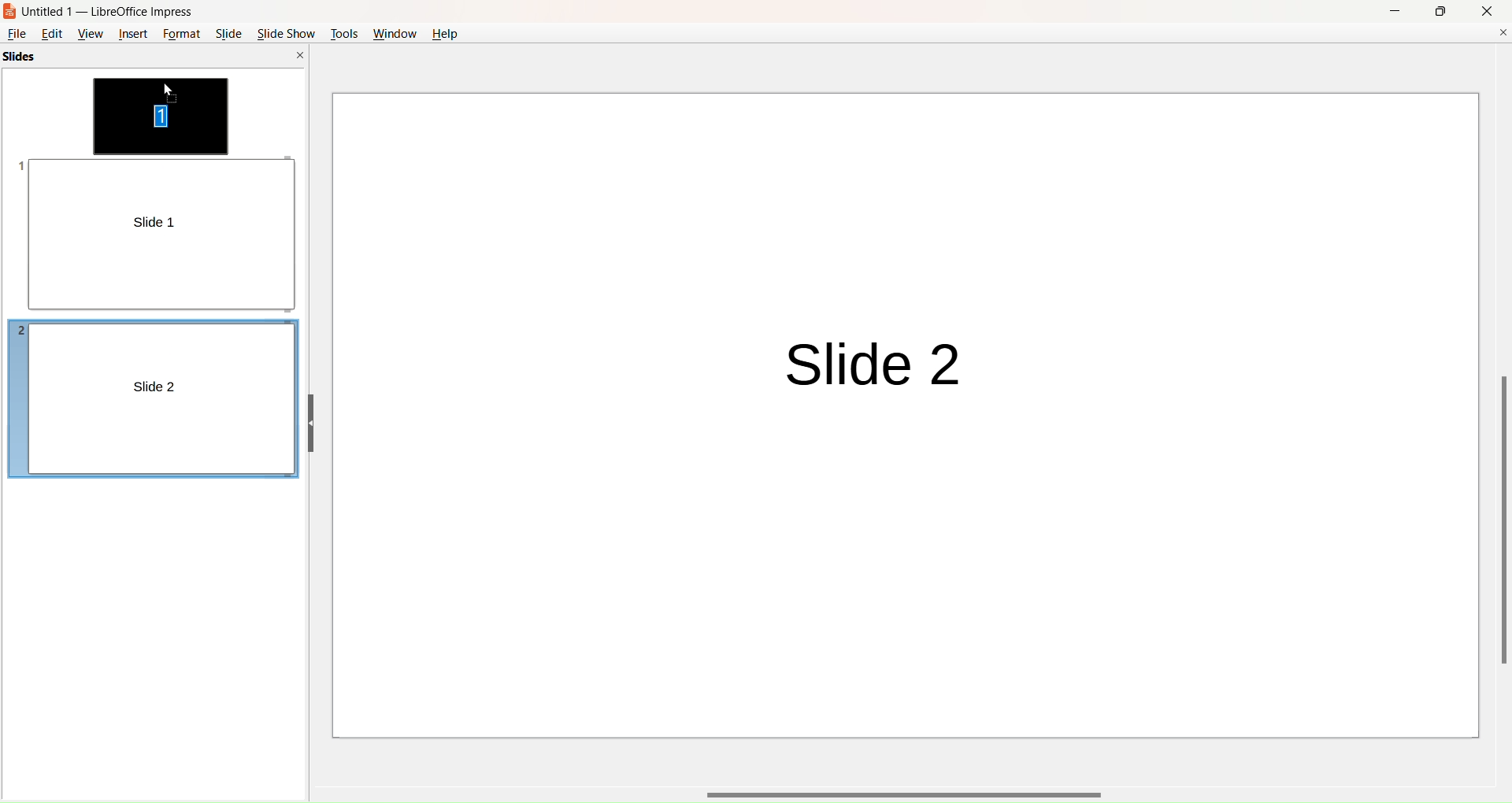 Image resolution: width=1512 pixels, height=803 pixels. What do you see at coordinates (1501, 33) in the screenshot?
I see `close document` at bounding box center [1501, 33].